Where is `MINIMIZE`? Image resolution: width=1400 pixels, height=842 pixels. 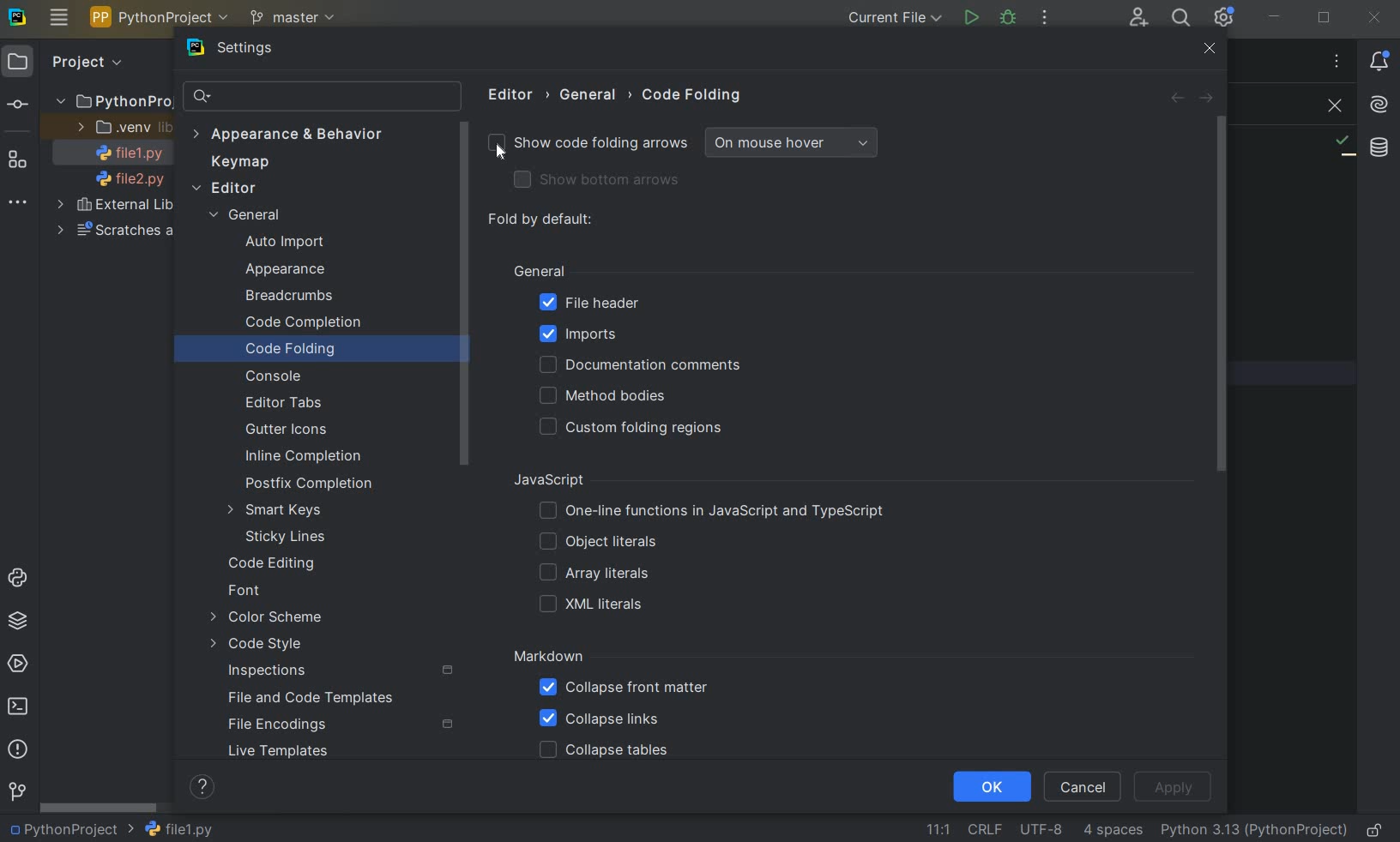
MINIMIZE is located at coordinates (1275, 18).